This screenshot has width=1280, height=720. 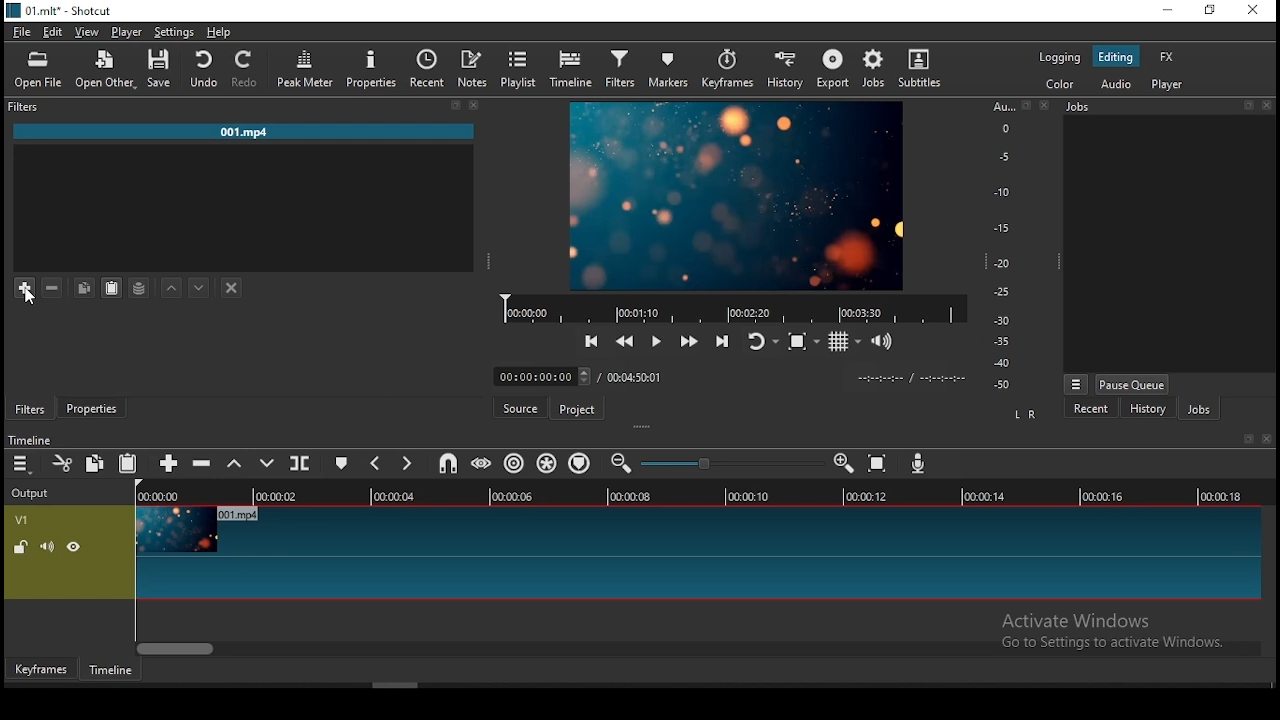 I want to click on ripple, so click(x=518, y=462).